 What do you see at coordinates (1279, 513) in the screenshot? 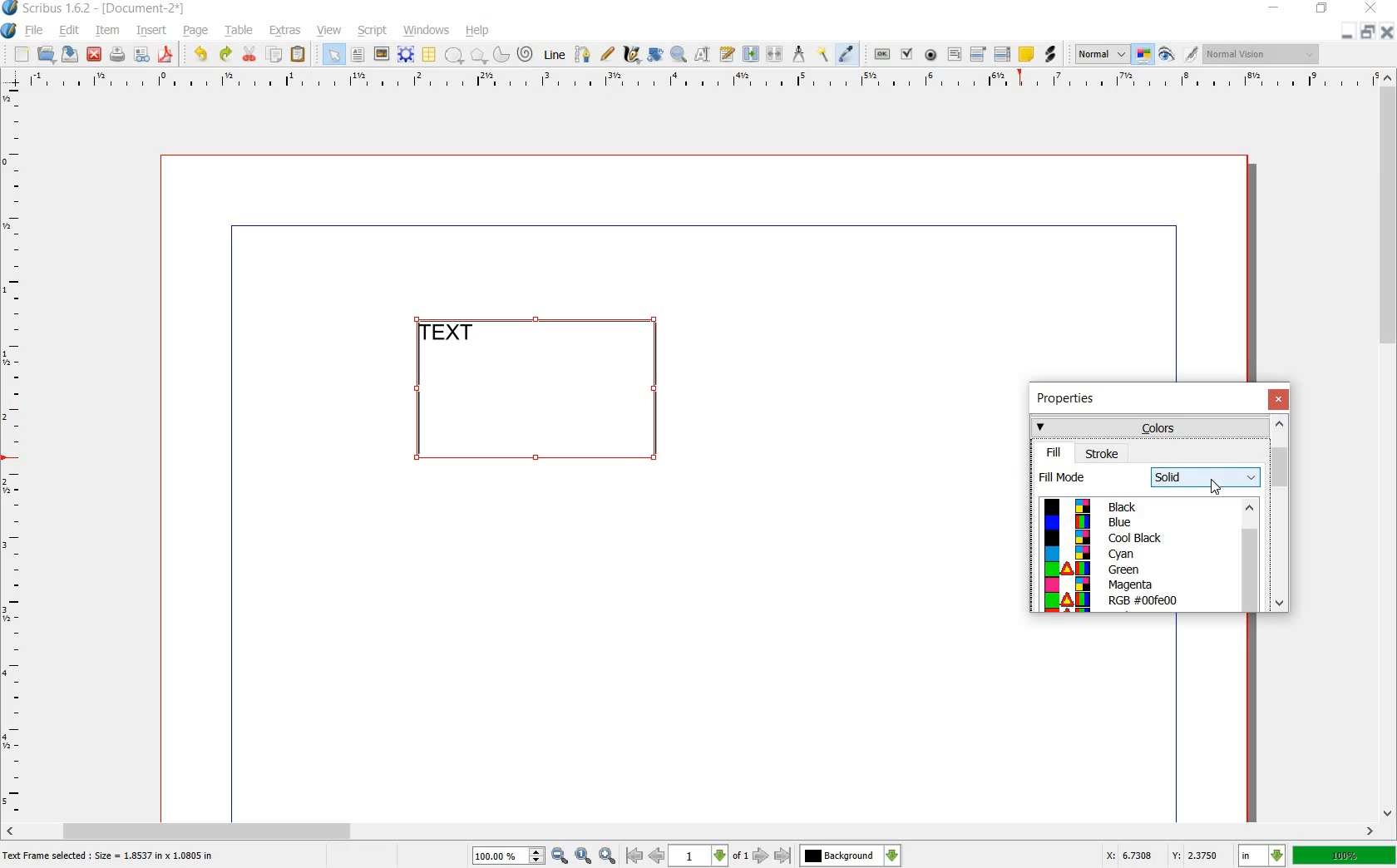
I see `scrollbar` at bounding box center [1279, 513].